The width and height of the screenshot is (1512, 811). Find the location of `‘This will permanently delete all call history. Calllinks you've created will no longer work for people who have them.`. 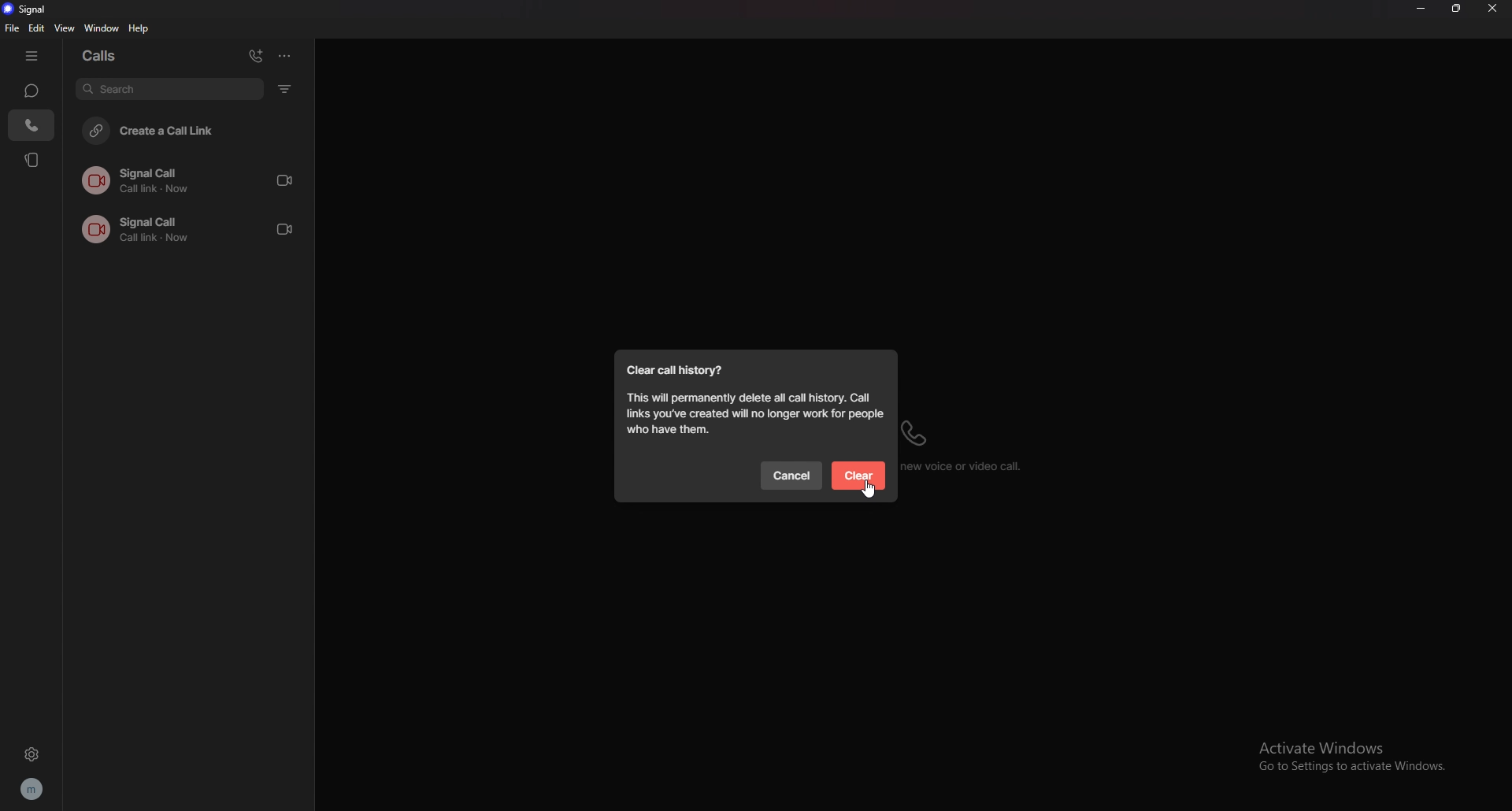

‘This will permanently delete all call history. Calllinks you've created will no longer work for people who have them. is located at coordinates (752, 416).